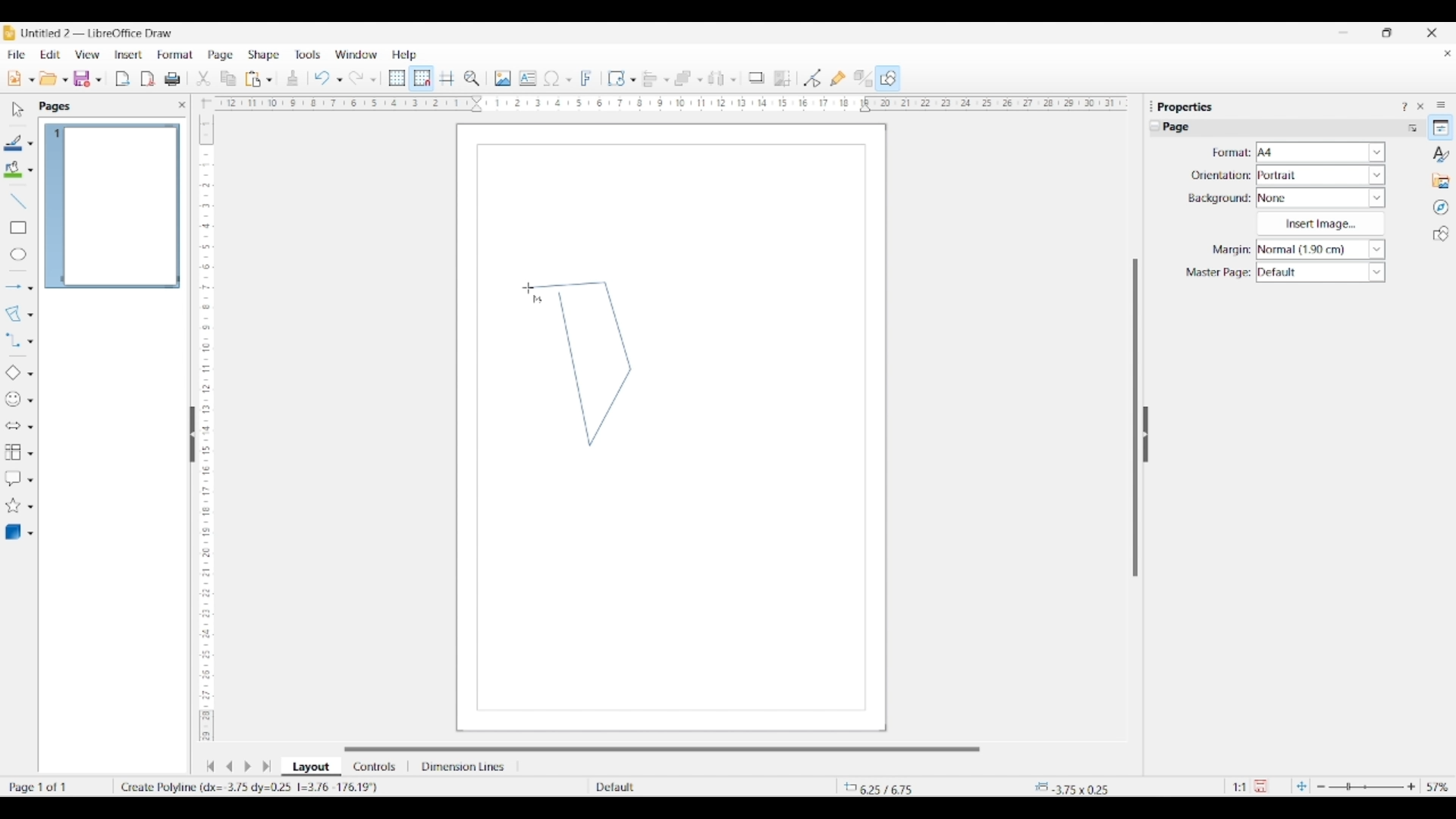 This screenshot has height=819, width=1456. I want to click on Orientation options, so click(1321, 174).